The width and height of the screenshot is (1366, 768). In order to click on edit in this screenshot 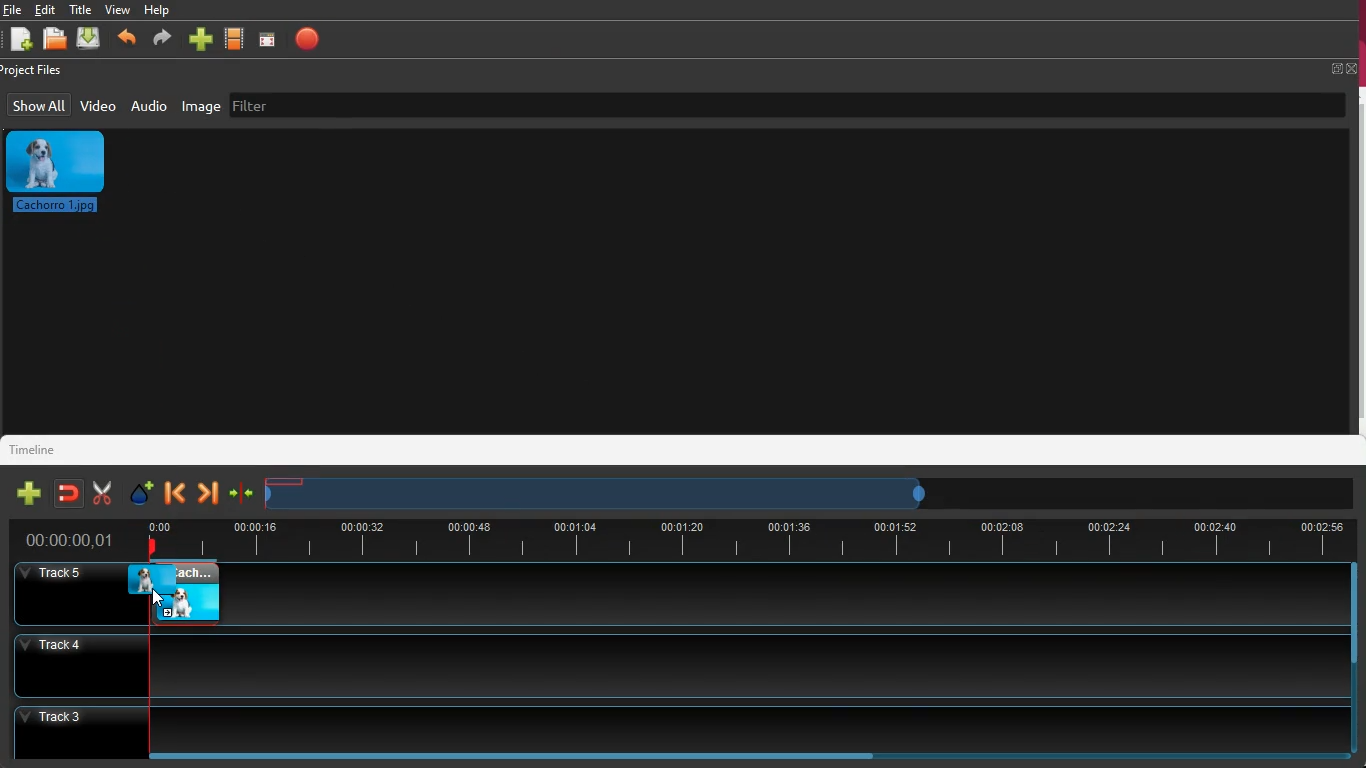, I will do `click(47, 10)`.